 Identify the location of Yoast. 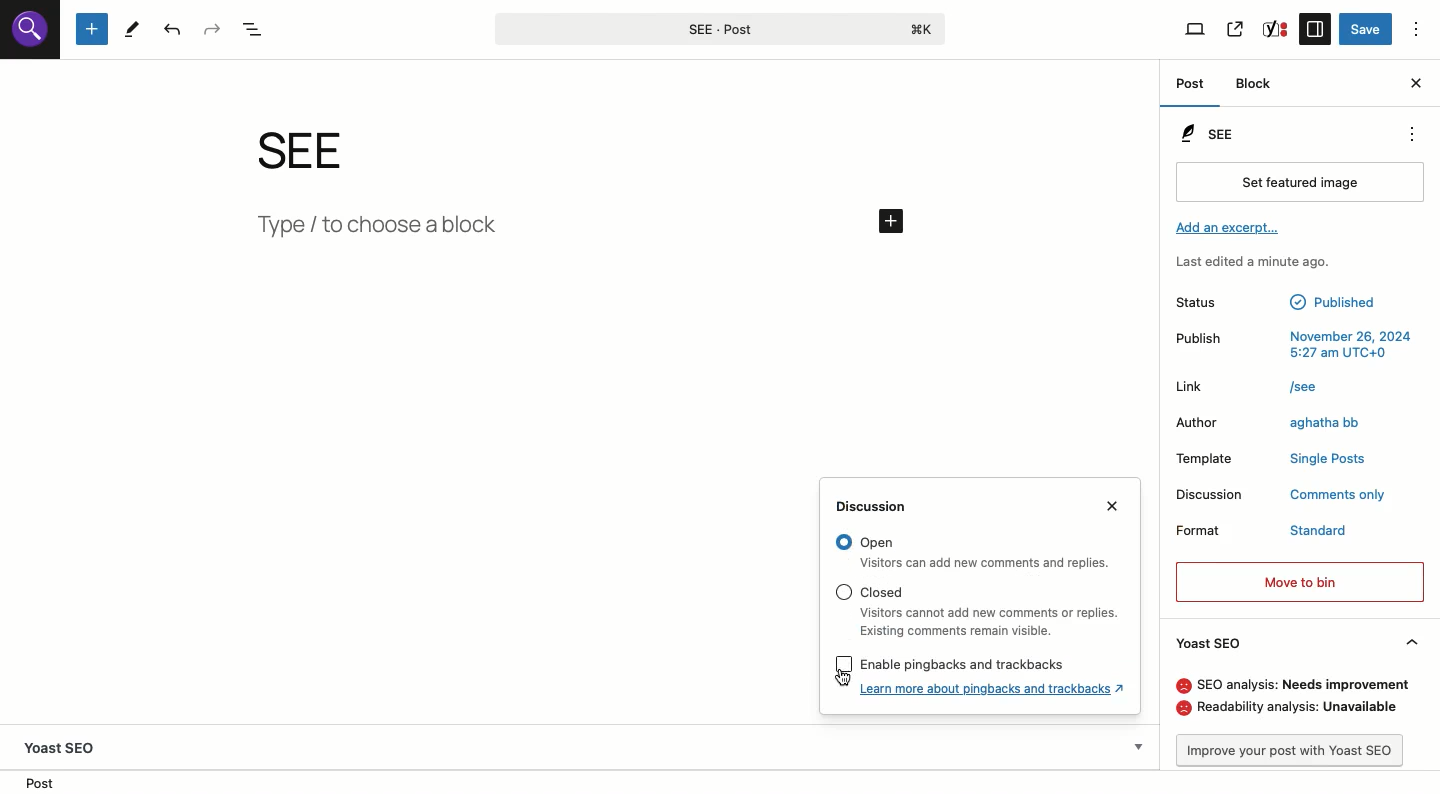
(1276, 30).